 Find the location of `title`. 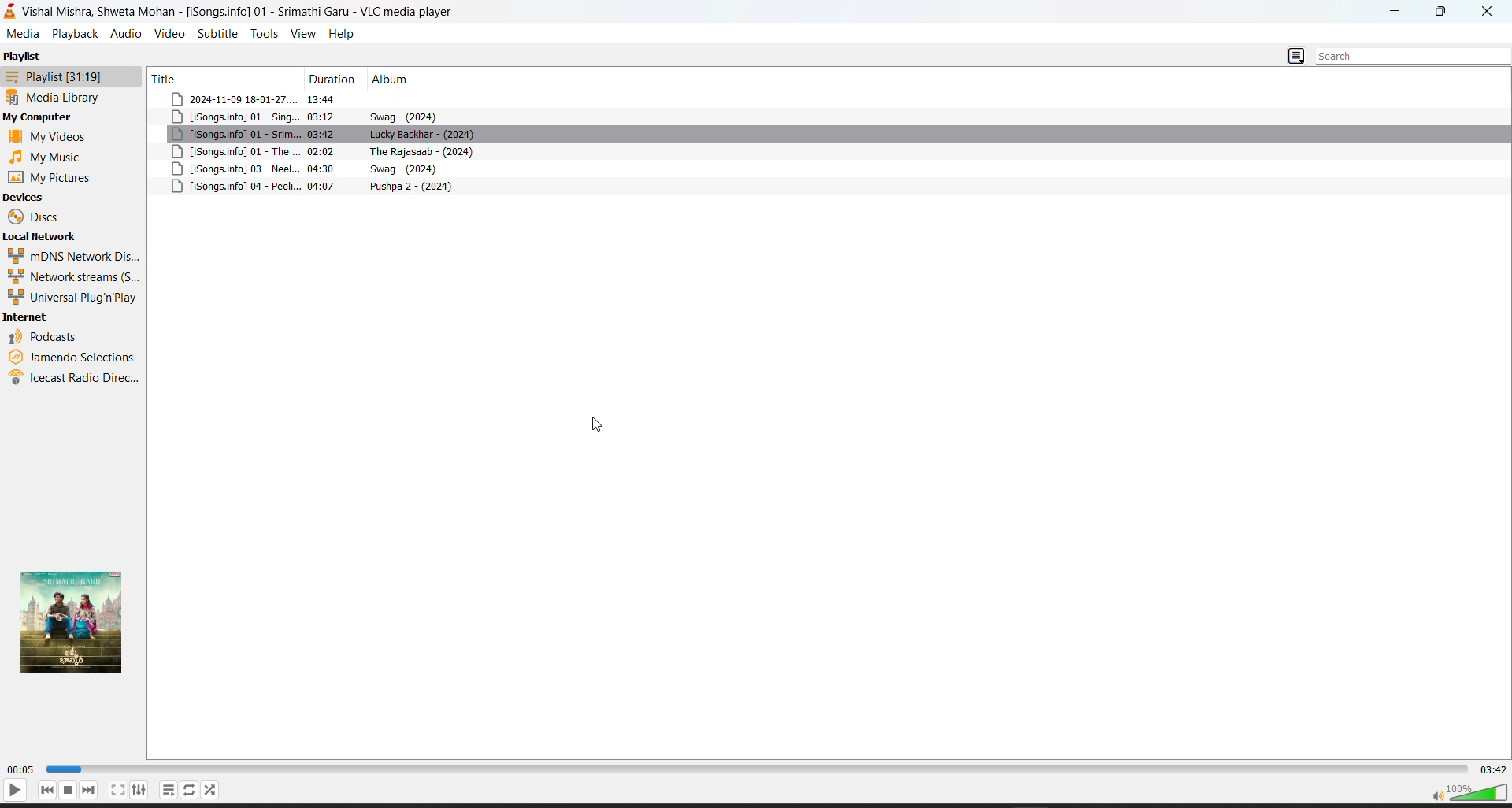

title is located at coordinates (173, 77).